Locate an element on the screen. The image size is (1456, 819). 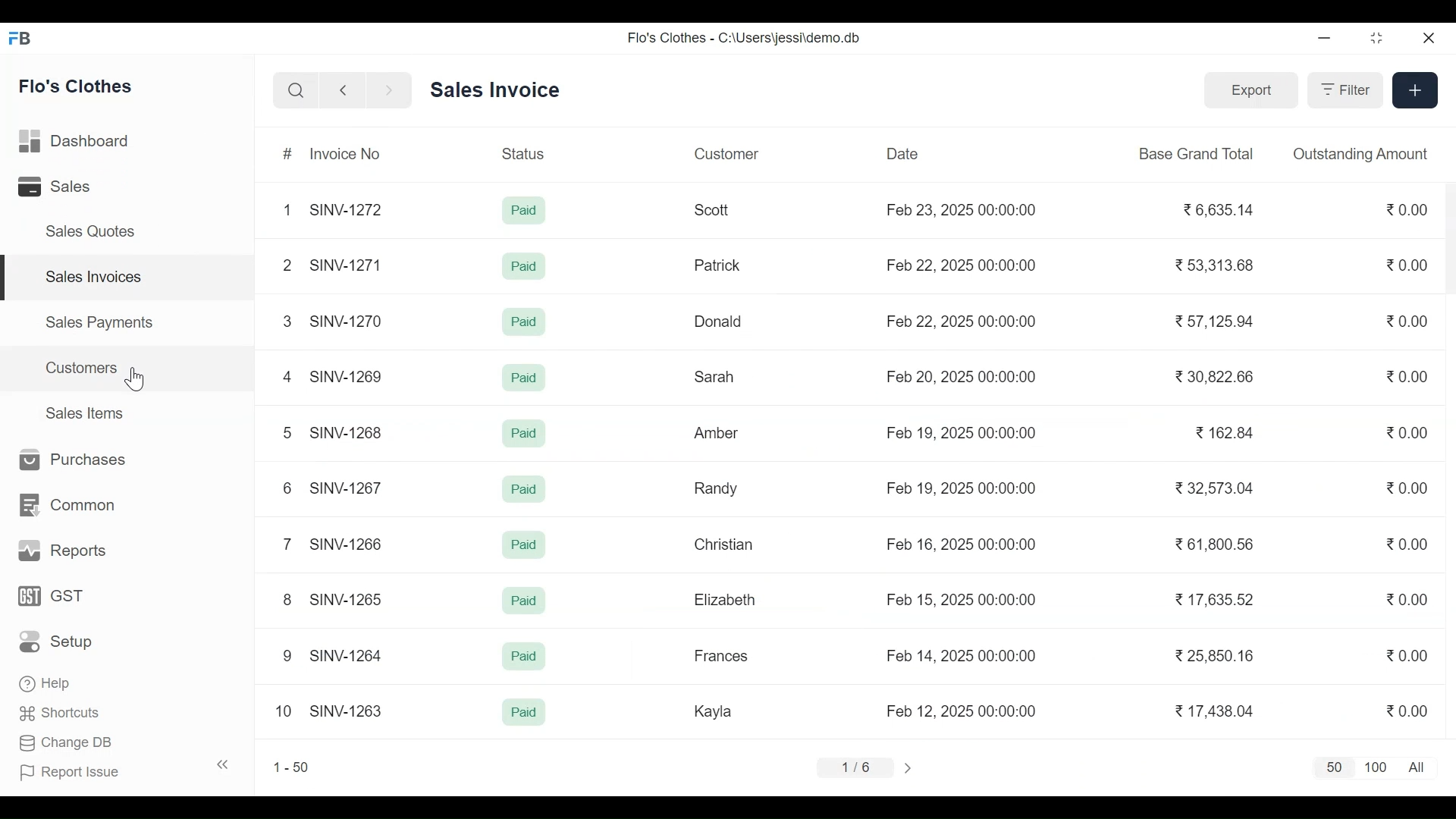
Navigate Forward is located at coordinates (389, 89).